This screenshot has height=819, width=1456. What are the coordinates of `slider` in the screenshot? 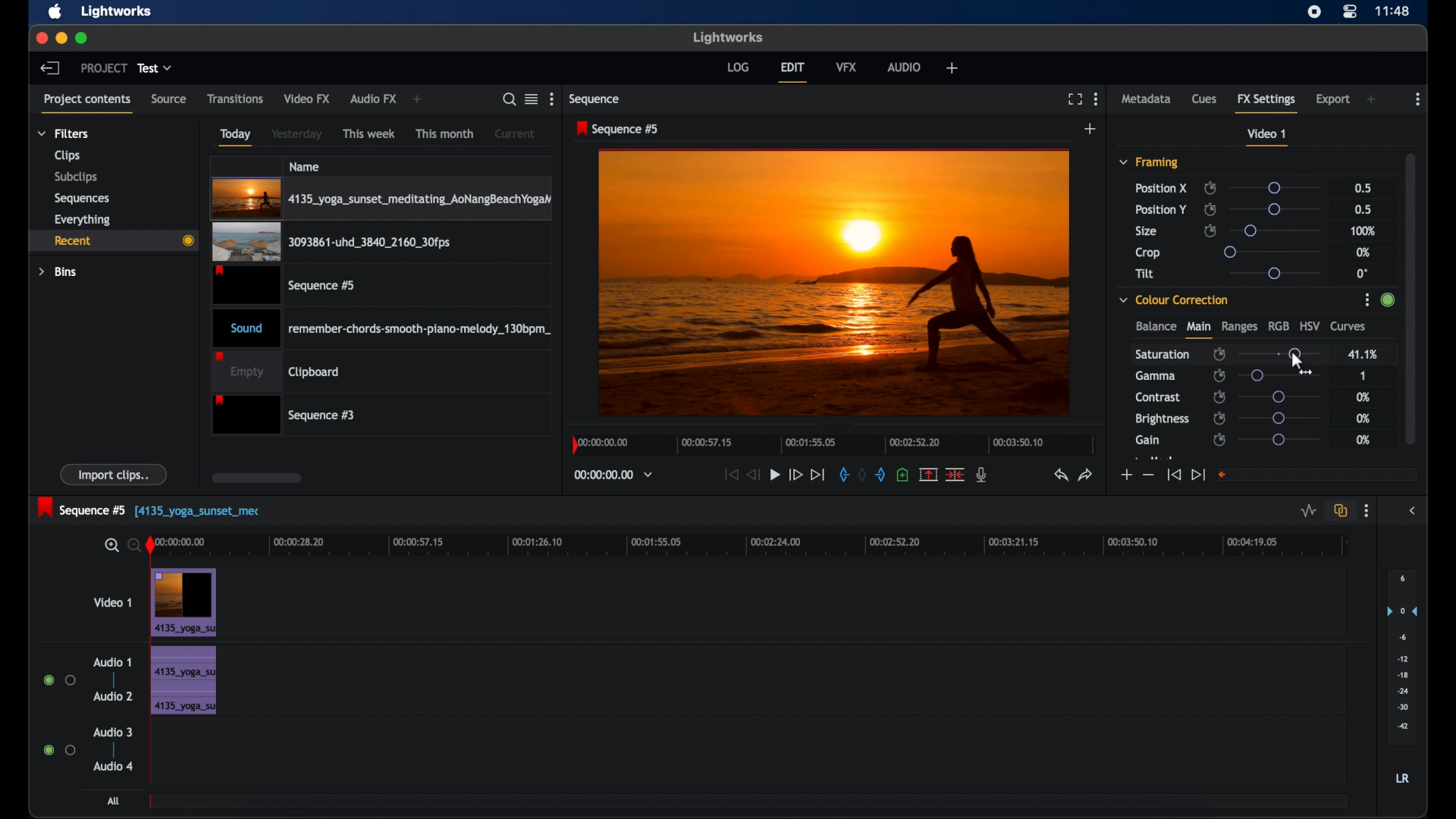 It's located at (1274, 273).